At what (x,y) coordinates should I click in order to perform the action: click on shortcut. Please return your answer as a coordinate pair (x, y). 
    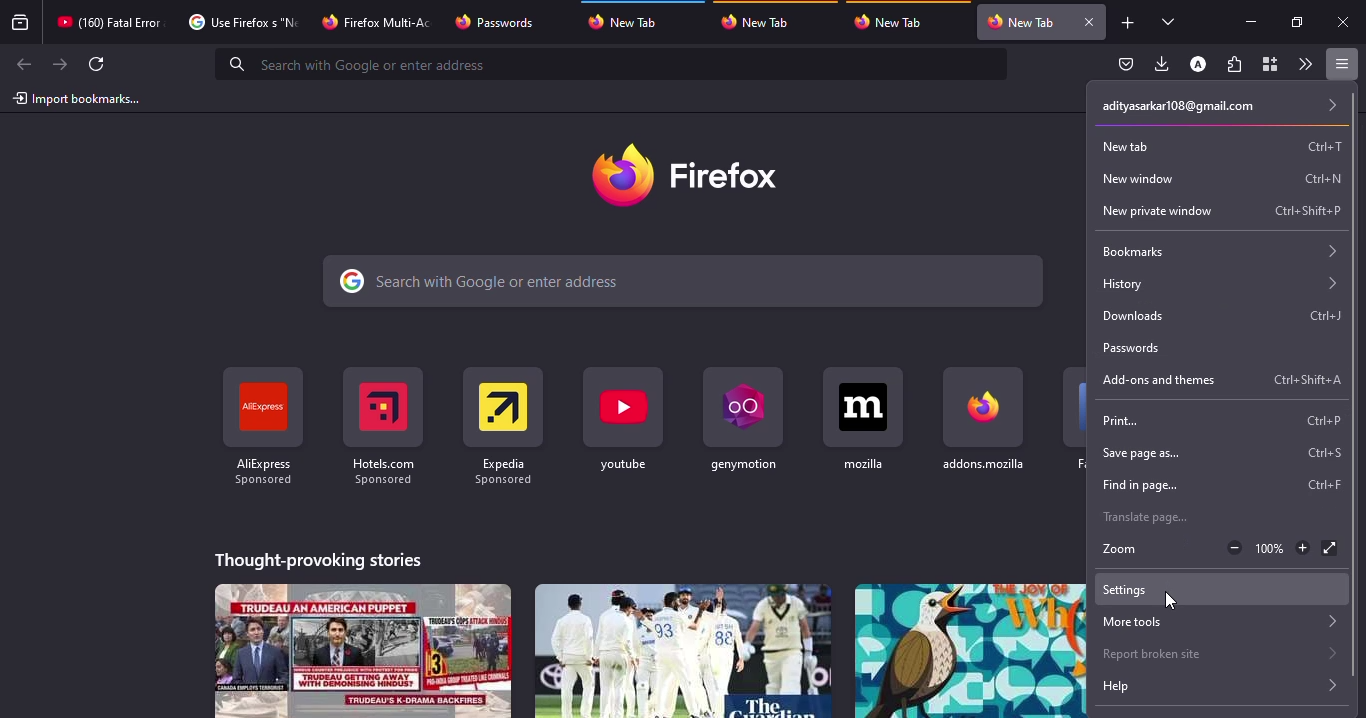
    Looking at the image, I should click on (1325, 177).